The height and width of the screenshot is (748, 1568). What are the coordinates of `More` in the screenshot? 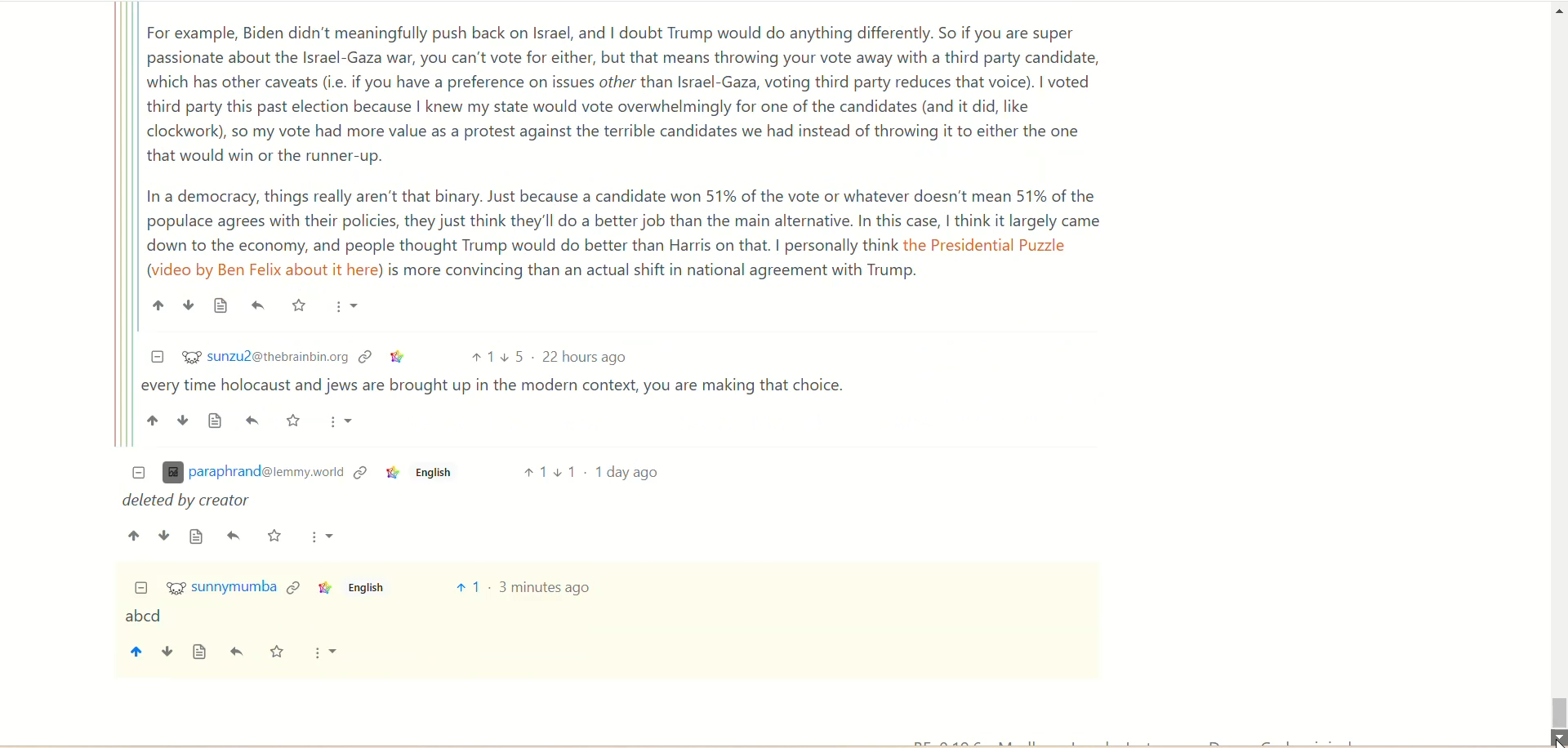 It's located at (345, 308).